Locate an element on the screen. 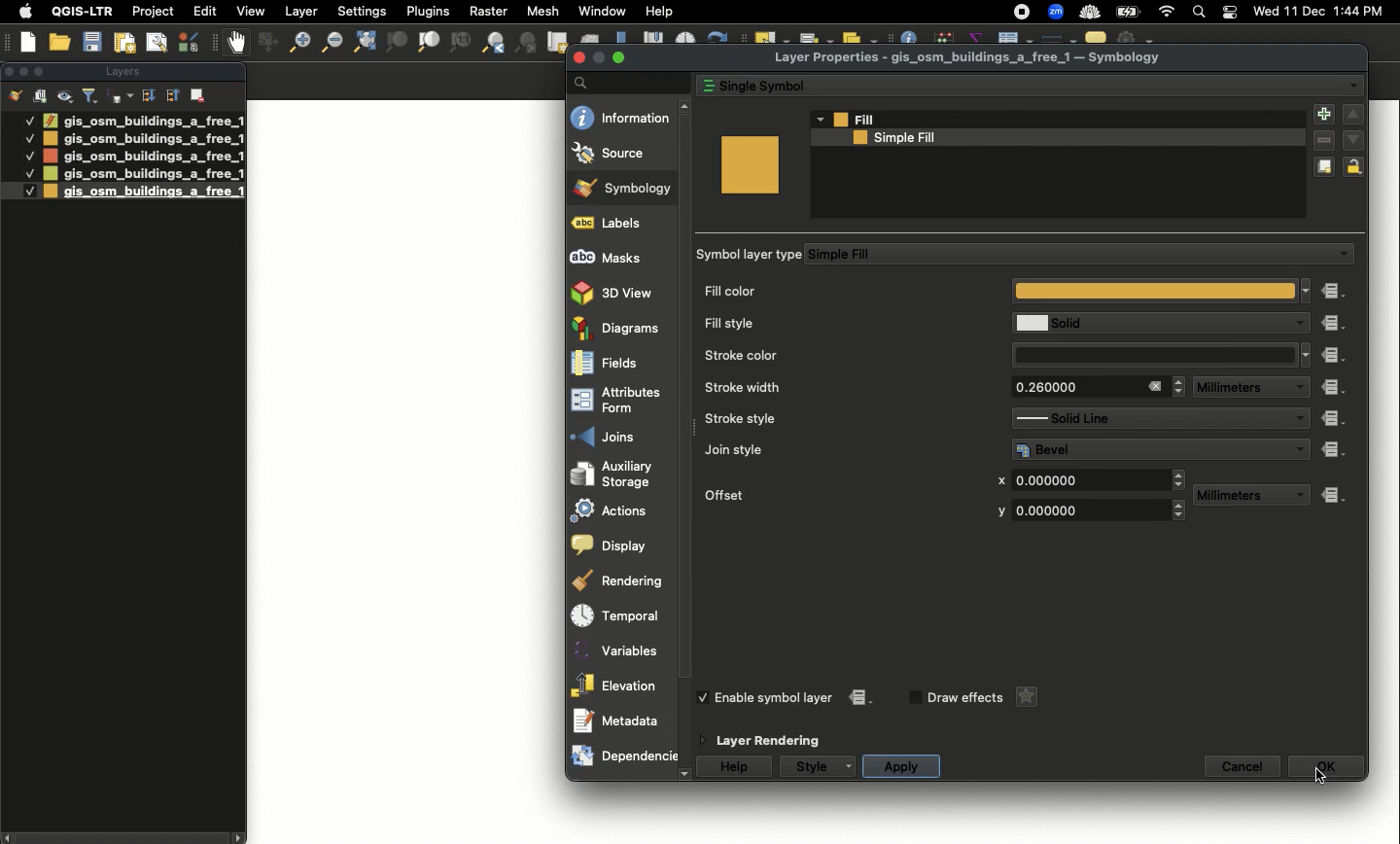 The height and width of the screenshot is (844, 1400). Fill style is located at coordinates (840, 324).